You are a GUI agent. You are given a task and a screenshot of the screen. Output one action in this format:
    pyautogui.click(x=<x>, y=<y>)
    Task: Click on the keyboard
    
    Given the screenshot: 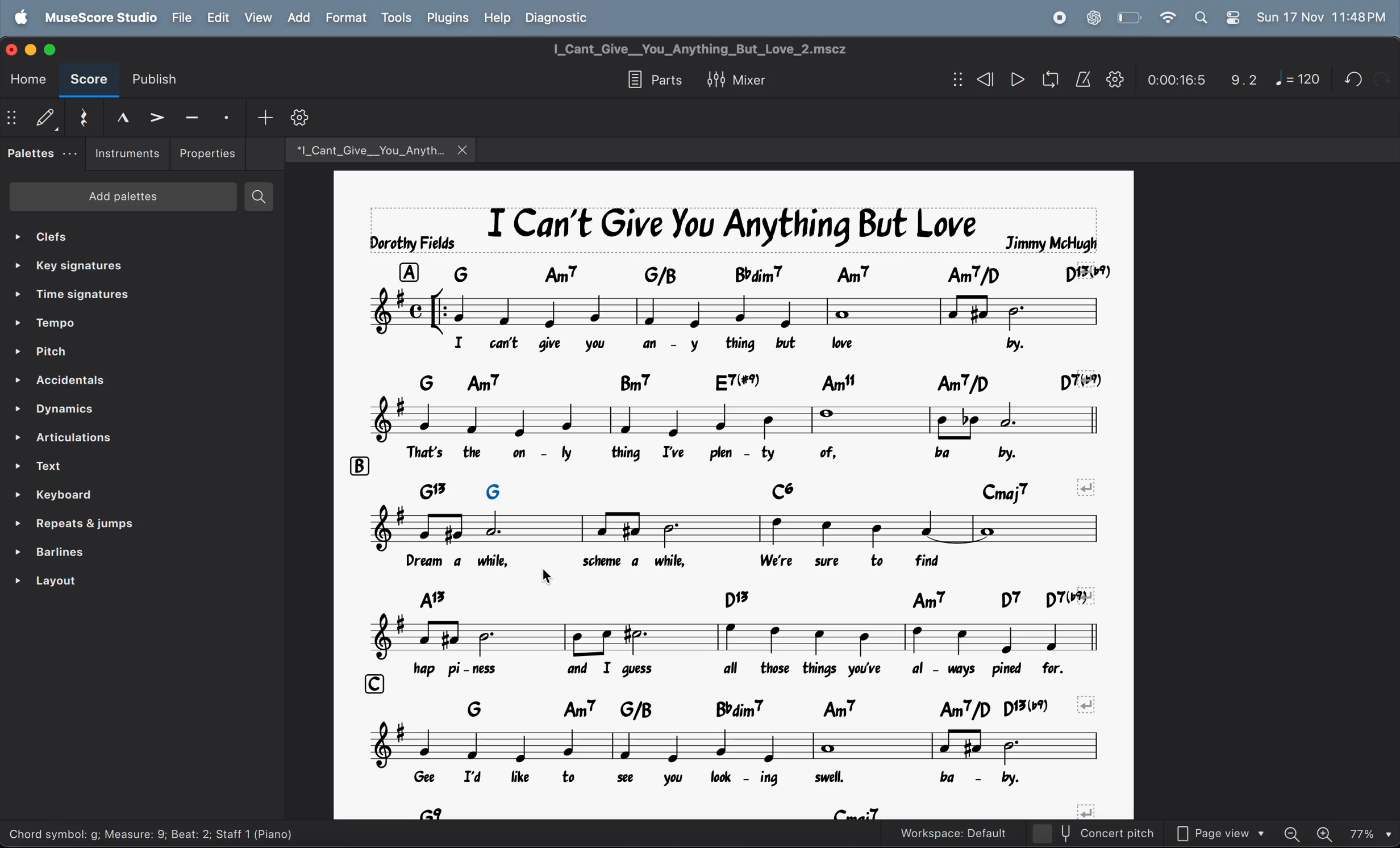 What is the action you would take?
    pyautogui.click(x=116, y=495)
    